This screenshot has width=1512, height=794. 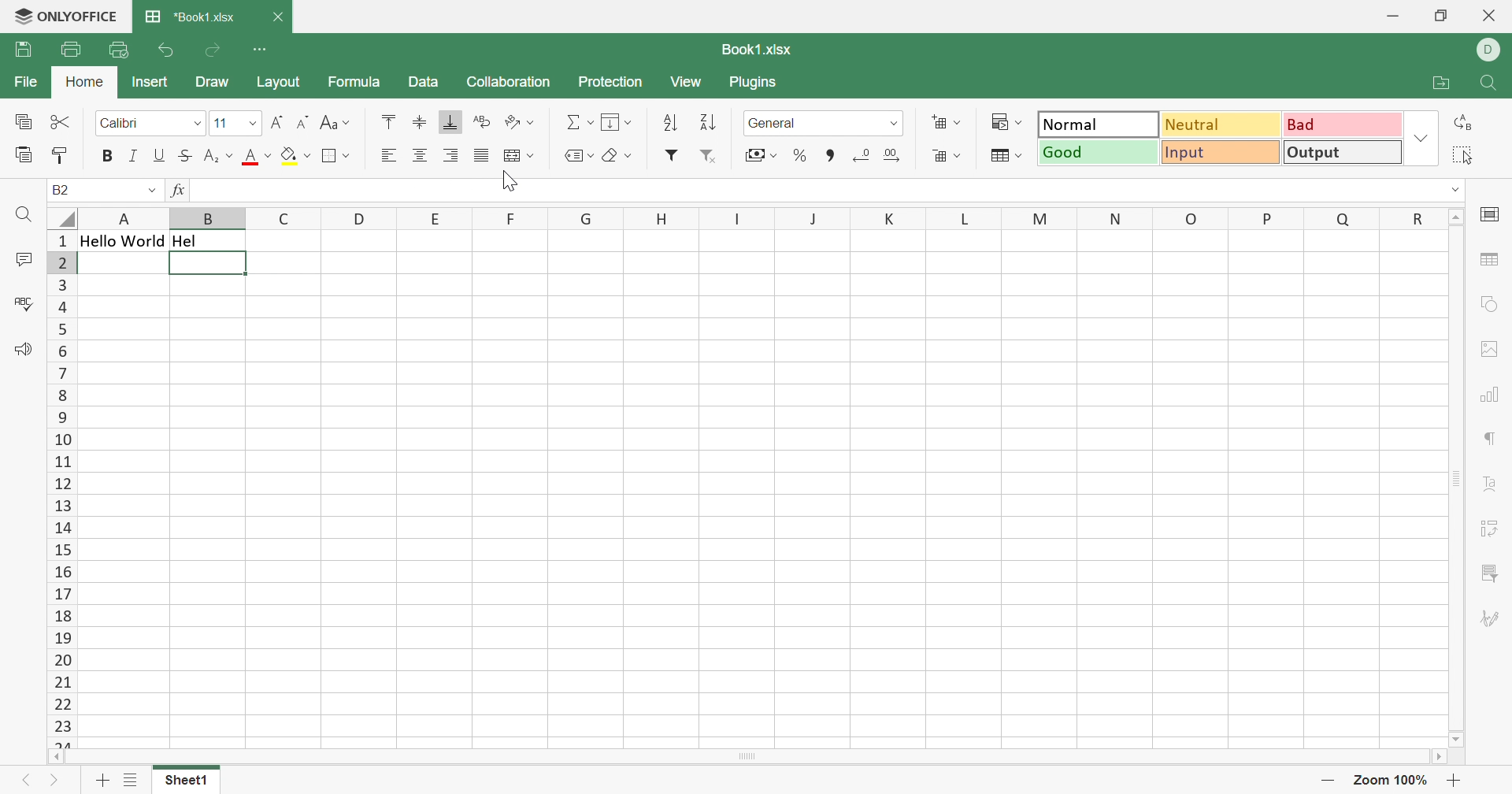 I want to click on Data, so click(x=423, y=82).